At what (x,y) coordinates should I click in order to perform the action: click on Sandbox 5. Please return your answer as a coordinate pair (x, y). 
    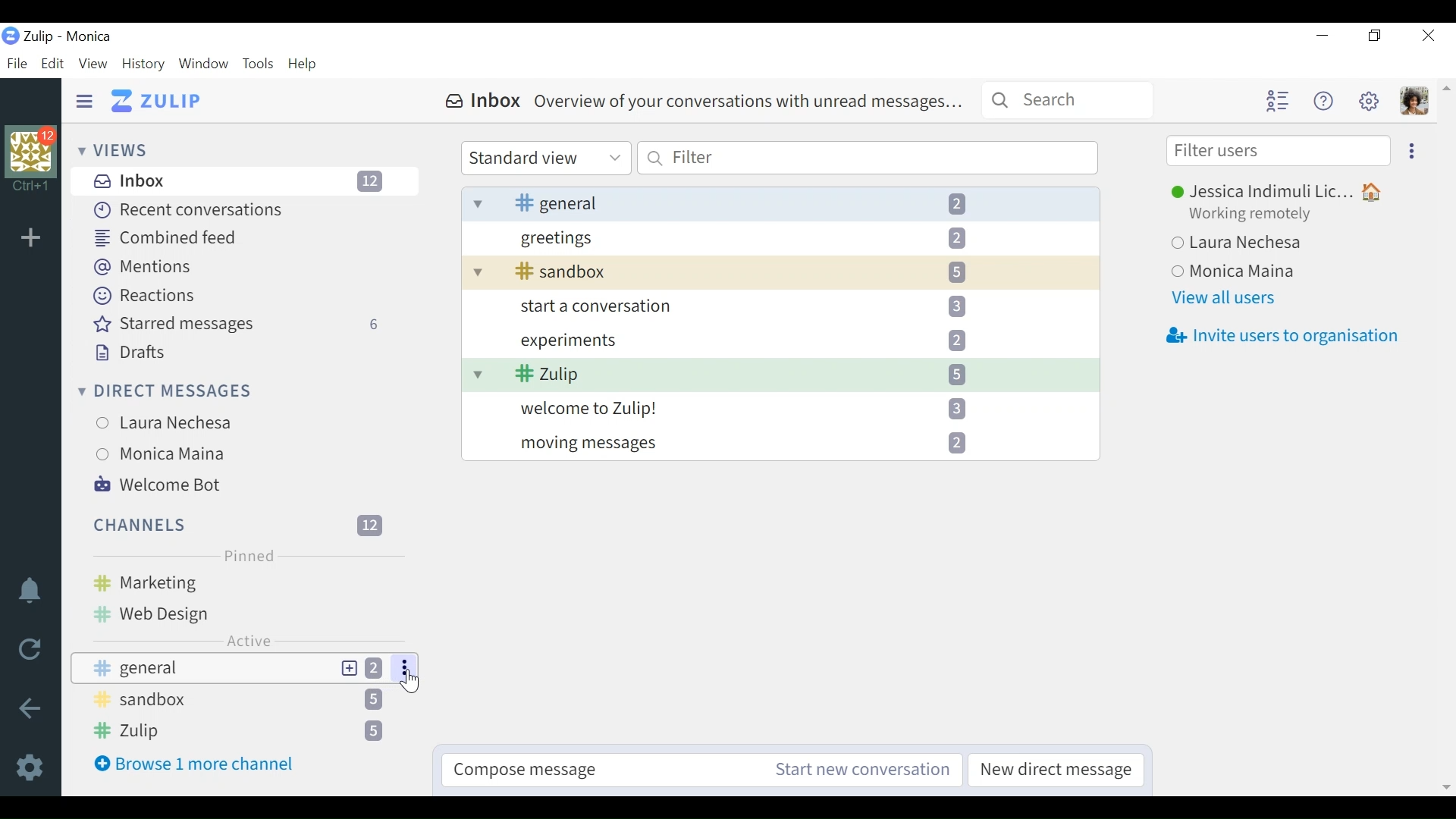
    Looking at the image, I should click on (780, 272).